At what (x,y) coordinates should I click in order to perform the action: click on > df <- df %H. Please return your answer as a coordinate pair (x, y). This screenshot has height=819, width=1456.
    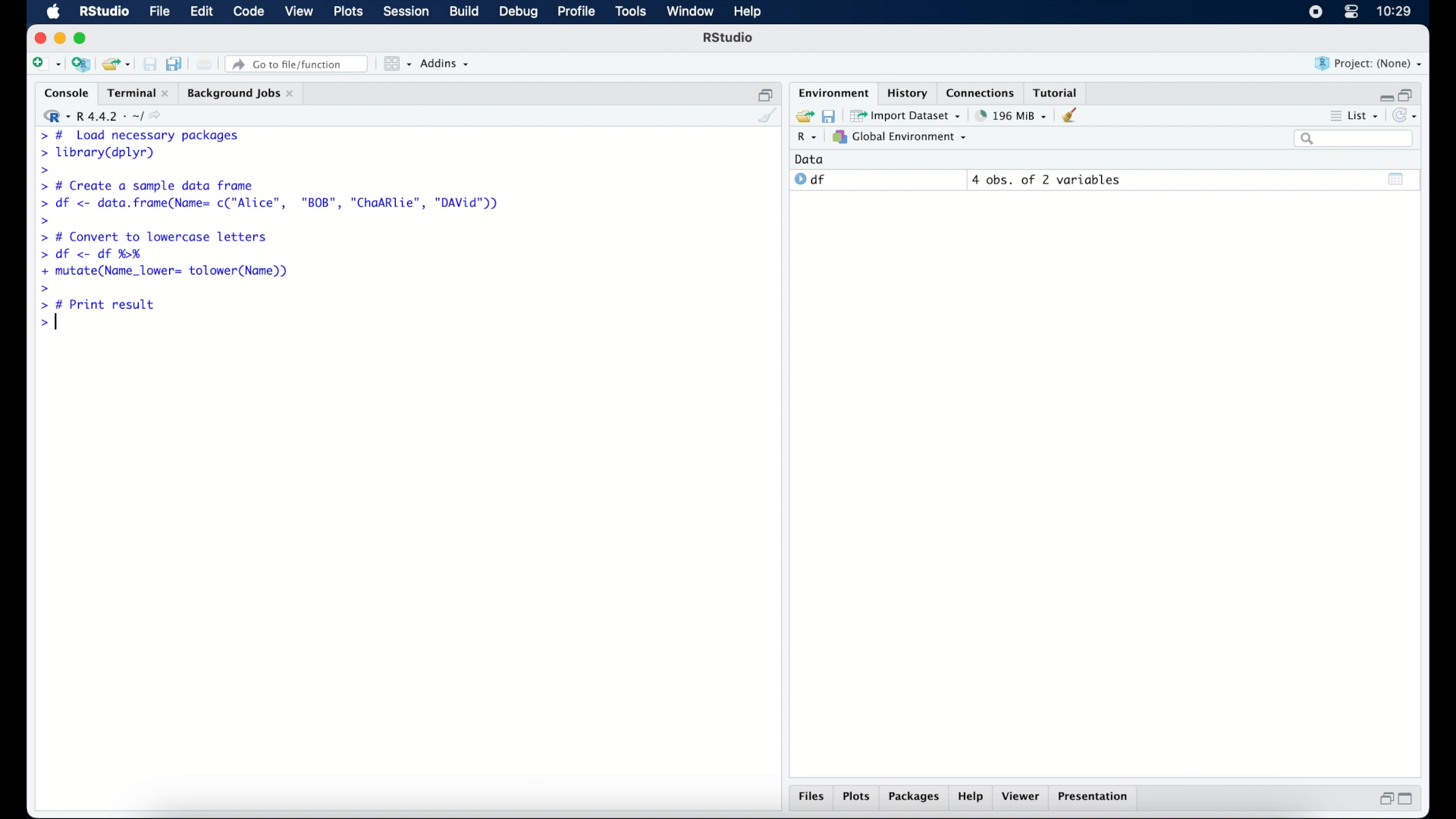
    Looking at the image, I should click on (96, 256).